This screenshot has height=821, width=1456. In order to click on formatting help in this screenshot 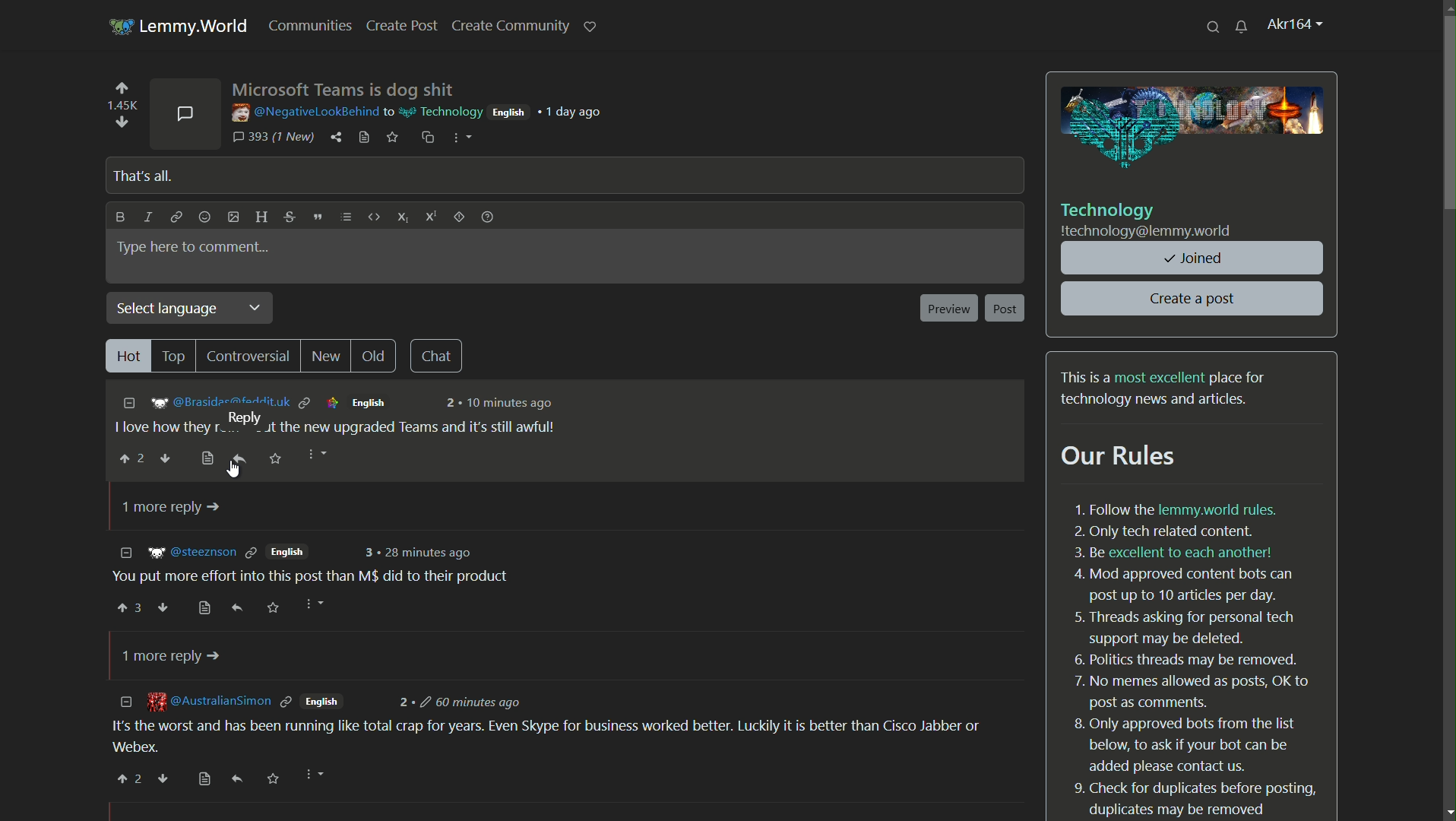, I will do `click(486, 219)`.